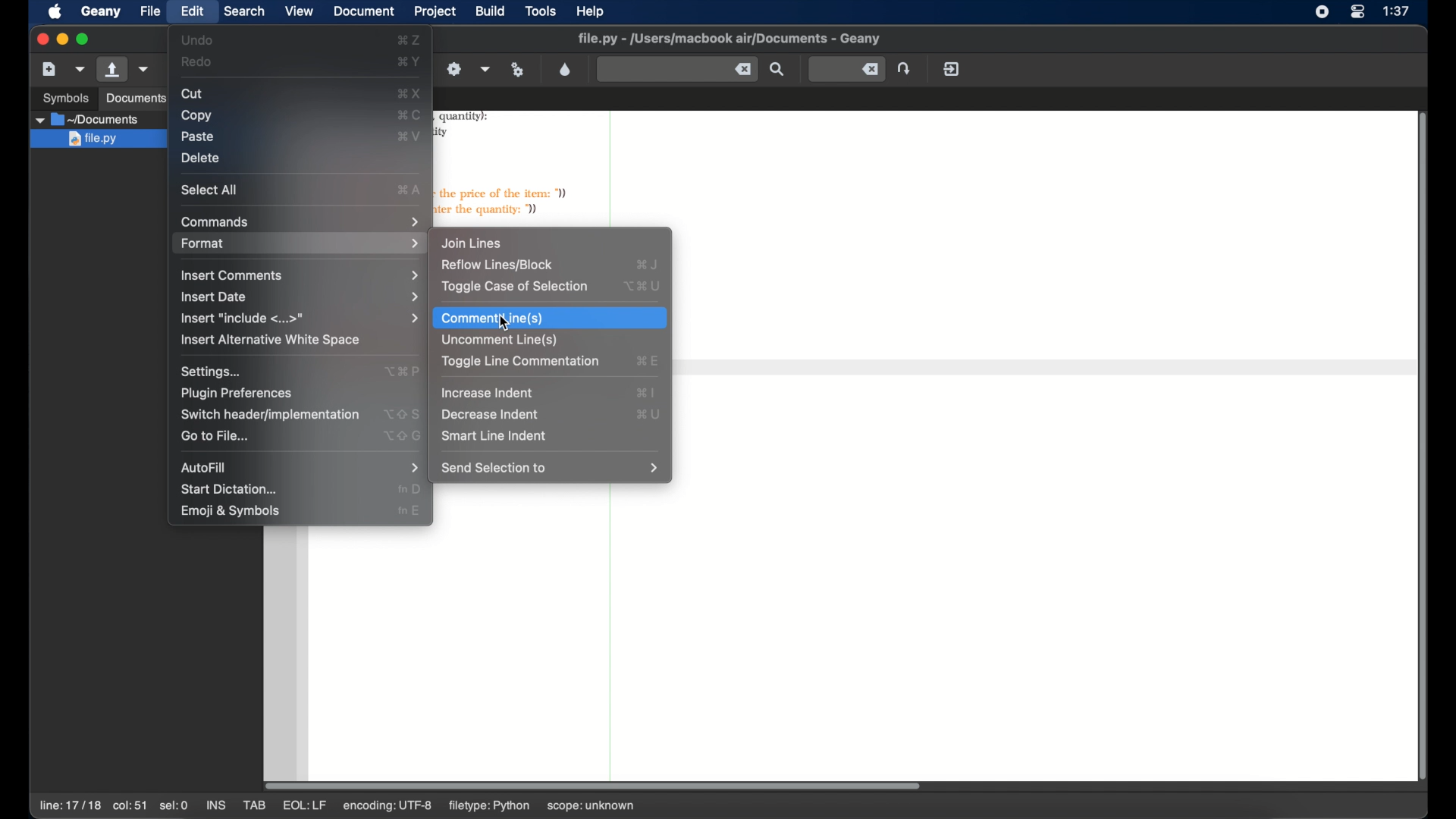 The image size is (1456, 819). I want to click on project, so click(435, 11).